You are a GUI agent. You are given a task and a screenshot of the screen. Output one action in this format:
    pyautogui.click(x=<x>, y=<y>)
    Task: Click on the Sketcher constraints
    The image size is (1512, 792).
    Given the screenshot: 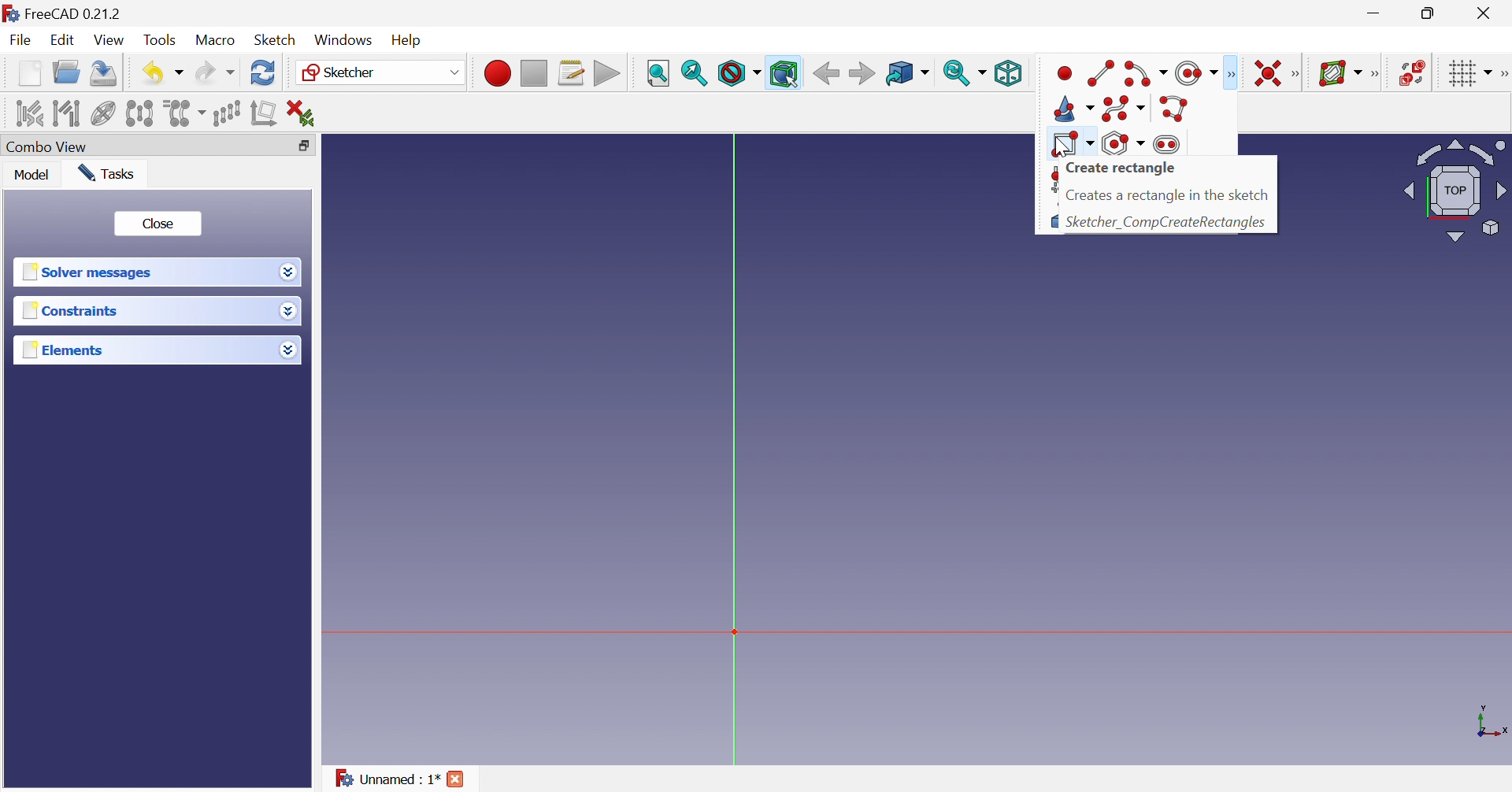 What is the action you would take?
    pyautogui.click(x=1296, y=72)
    